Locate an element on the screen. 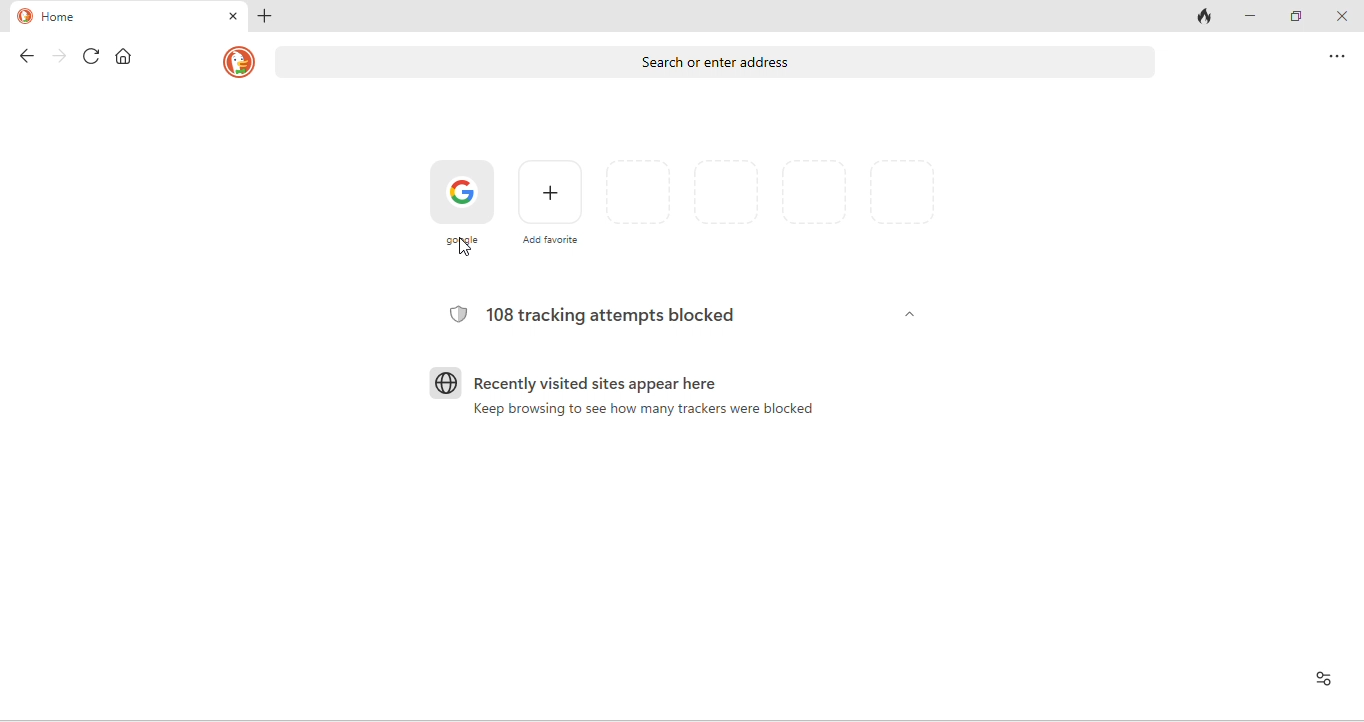 The width and height of the screenshot is (1364, 722). minimize is located at coordinates (1248, 16).